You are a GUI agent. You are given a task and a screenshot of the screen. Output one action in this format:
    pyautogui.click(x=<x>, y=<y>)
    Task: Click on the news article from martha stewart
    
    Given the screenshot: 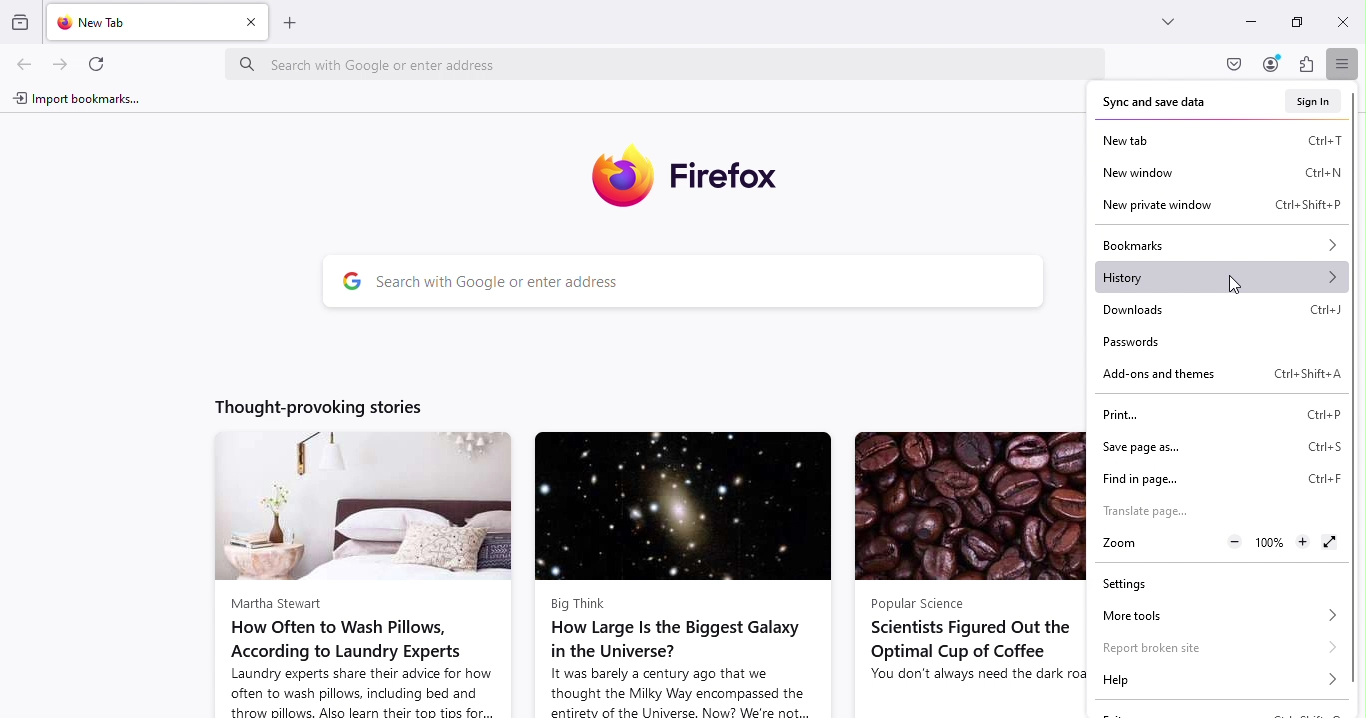 What is the action you would take?
    pyautogui.click(x=357, y=576)
    